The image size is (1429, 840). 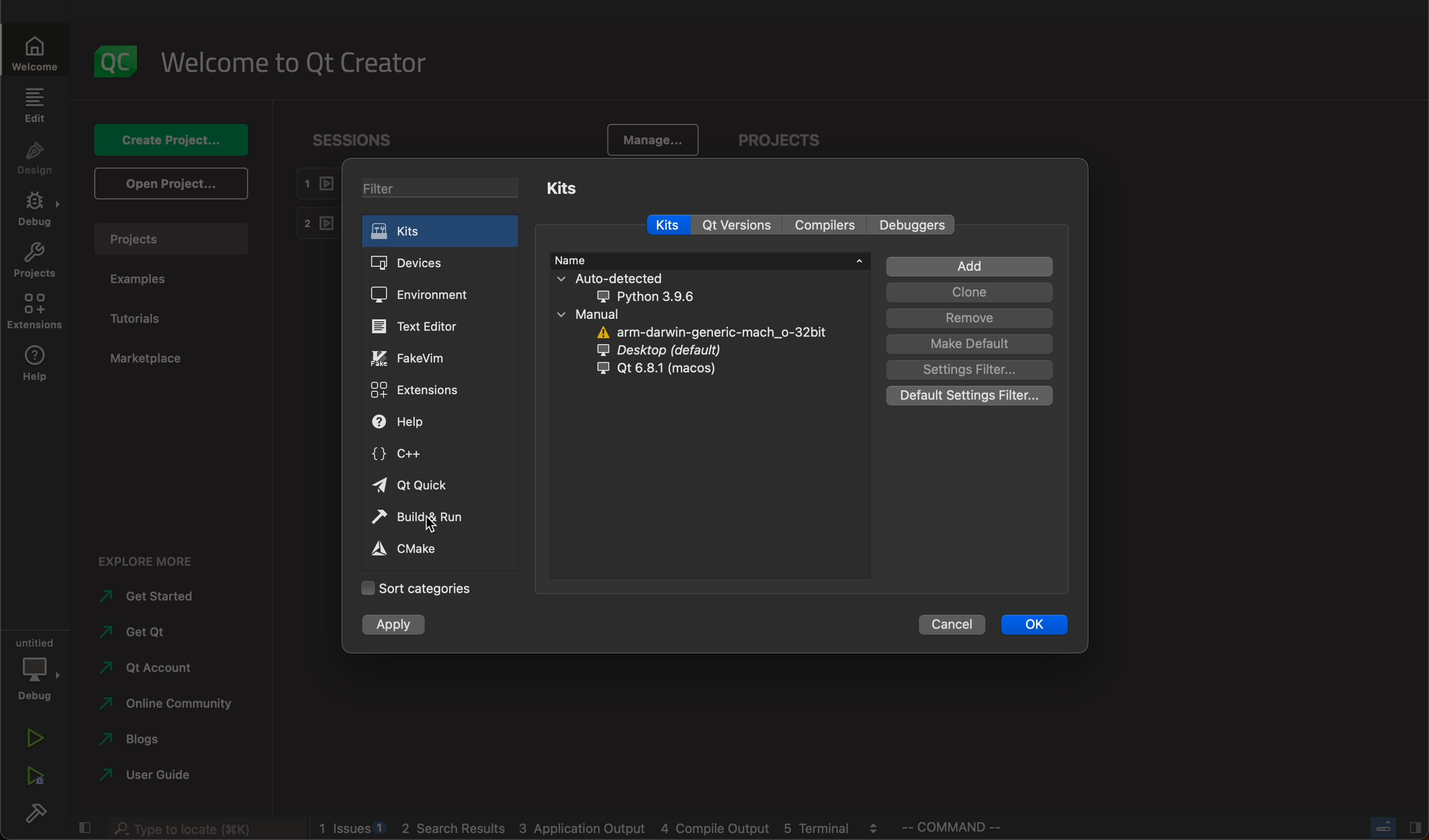 I want to click on blogs, so click(x=602, y=828).